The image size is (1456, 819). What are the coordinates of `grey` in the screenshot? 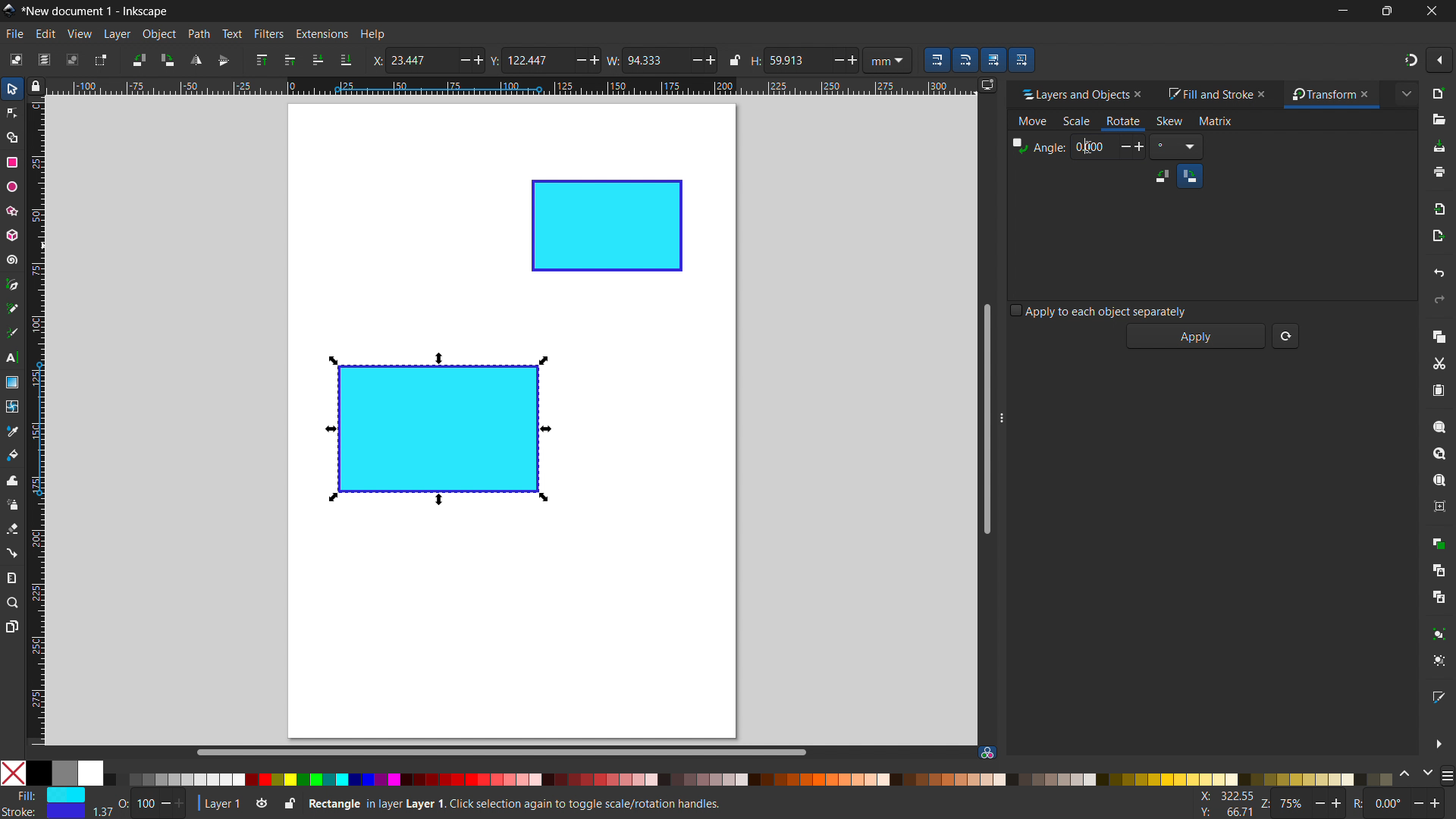 It's located at (64, 773).